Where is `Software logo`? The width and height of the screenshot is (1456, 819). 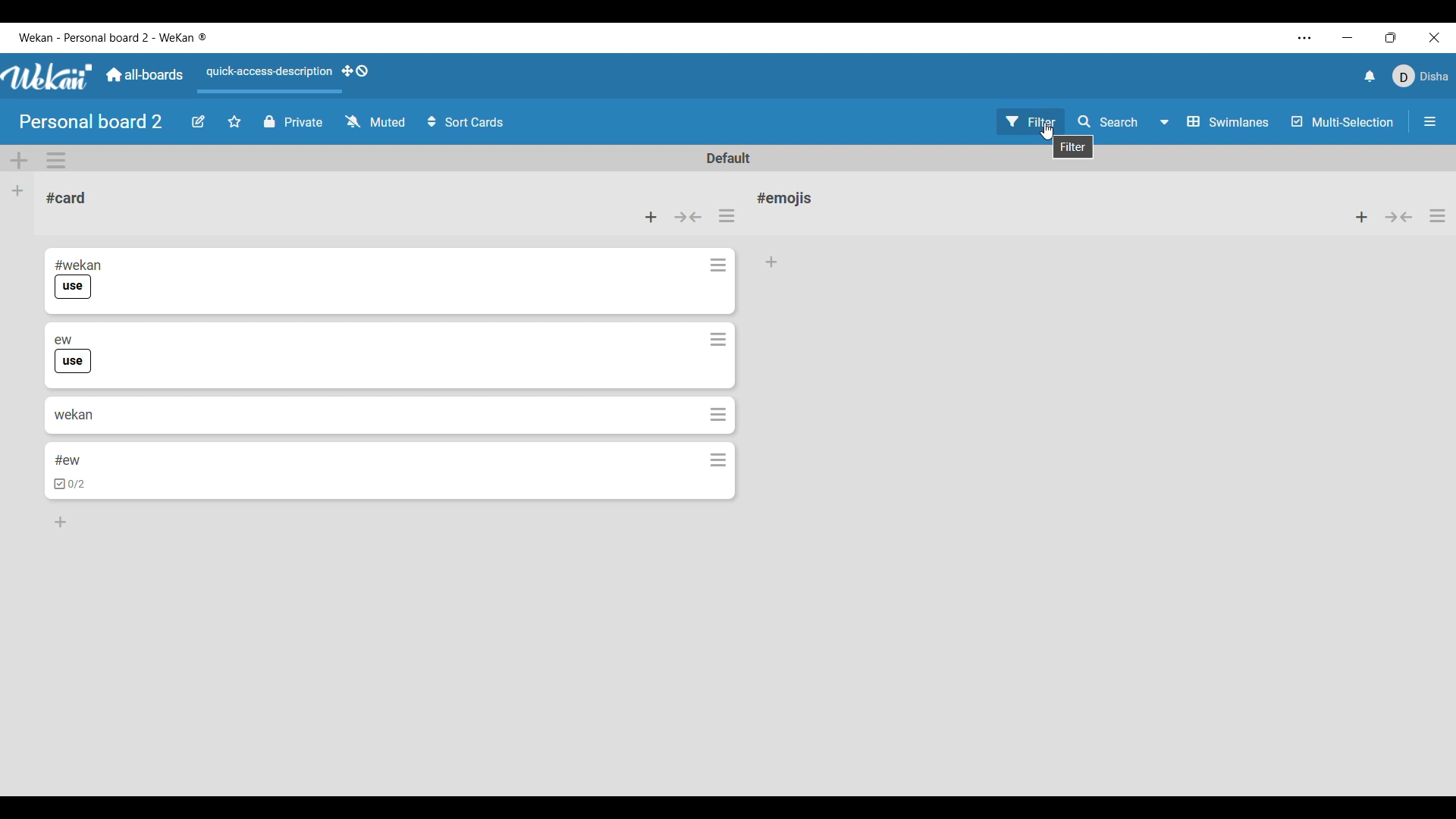
Software logo is located at coordinates (48, 77).